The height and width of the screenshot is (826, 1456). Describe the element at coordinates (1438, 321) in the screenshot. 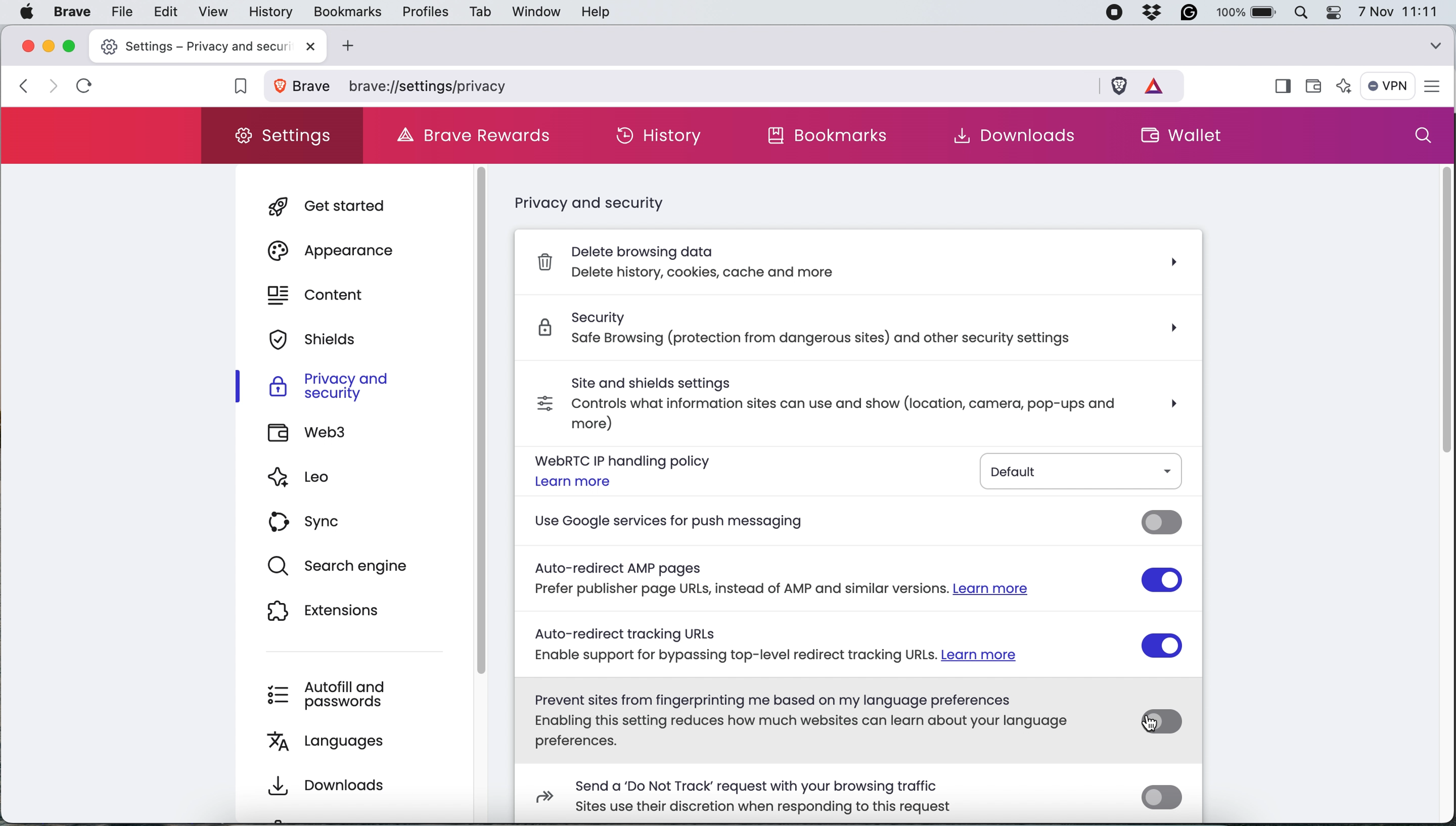

I see `scrollbar` at that location.